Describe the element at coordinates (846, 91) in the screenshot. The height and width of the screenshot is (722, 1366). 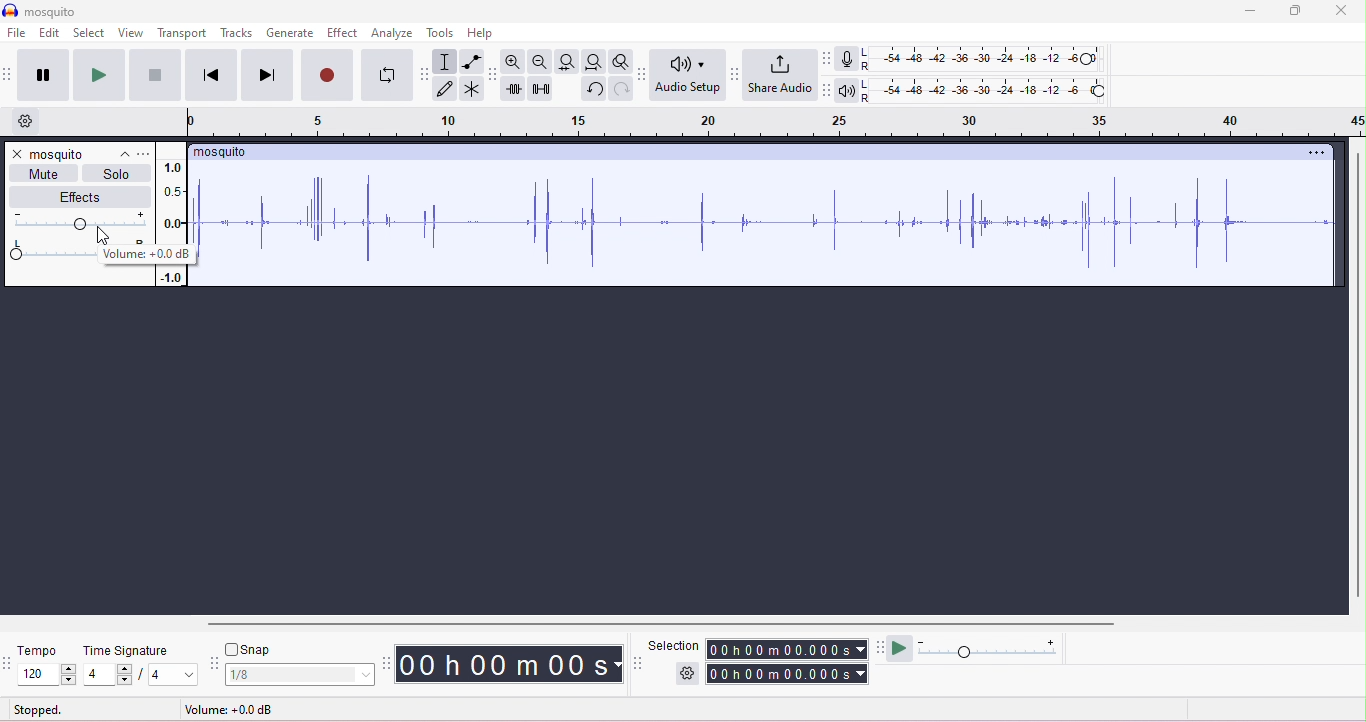
I see `Playback meter` at that location.